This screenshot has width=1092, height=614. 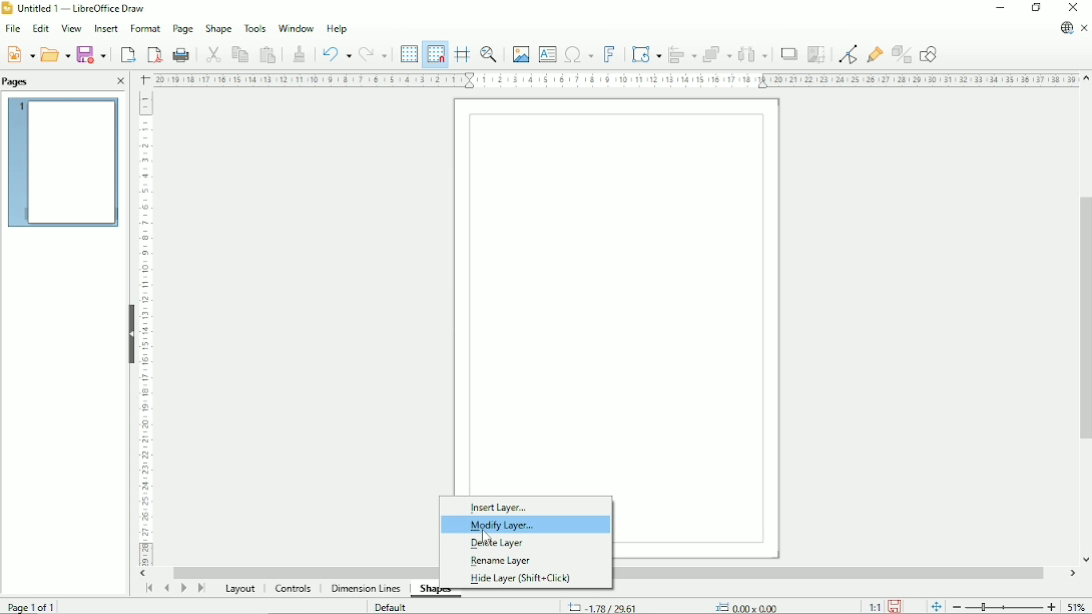 What do you see at coordinates (181, 54) in the screenshot?
I see `Print` at bounding box center [181, 54].